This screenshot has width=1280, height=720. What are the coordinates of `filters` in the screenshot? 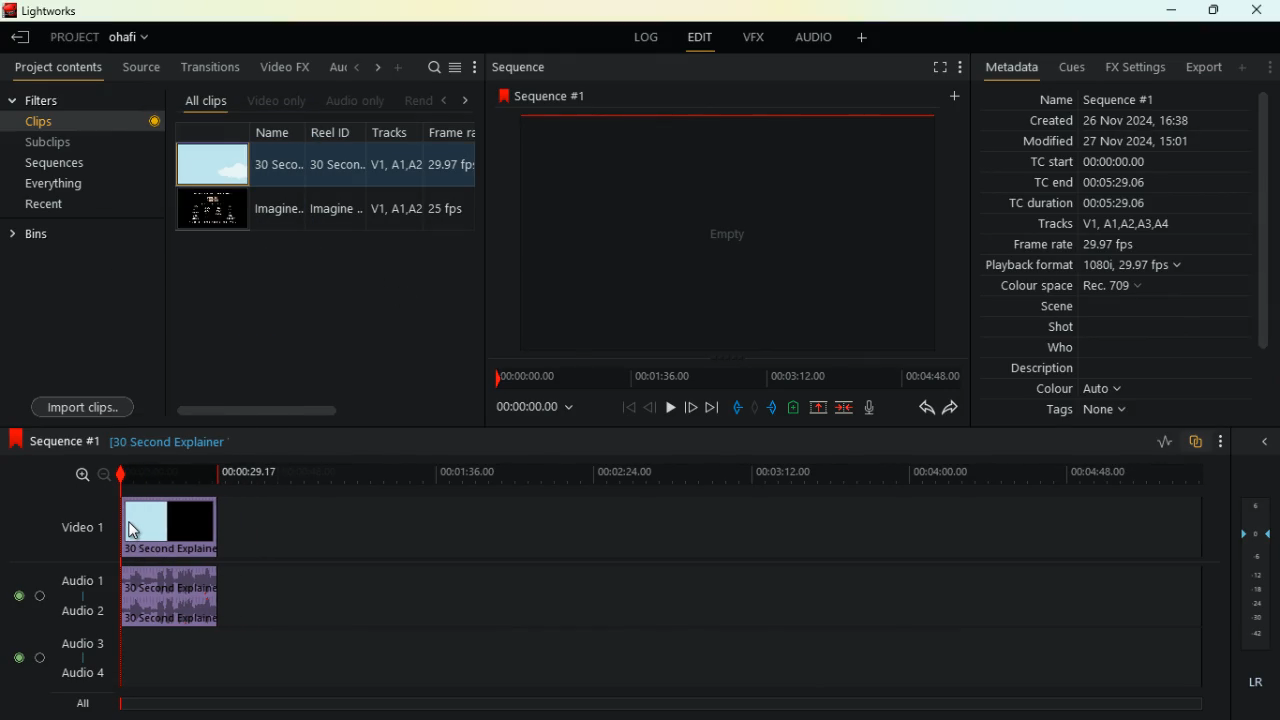 It's located at (55, 100).